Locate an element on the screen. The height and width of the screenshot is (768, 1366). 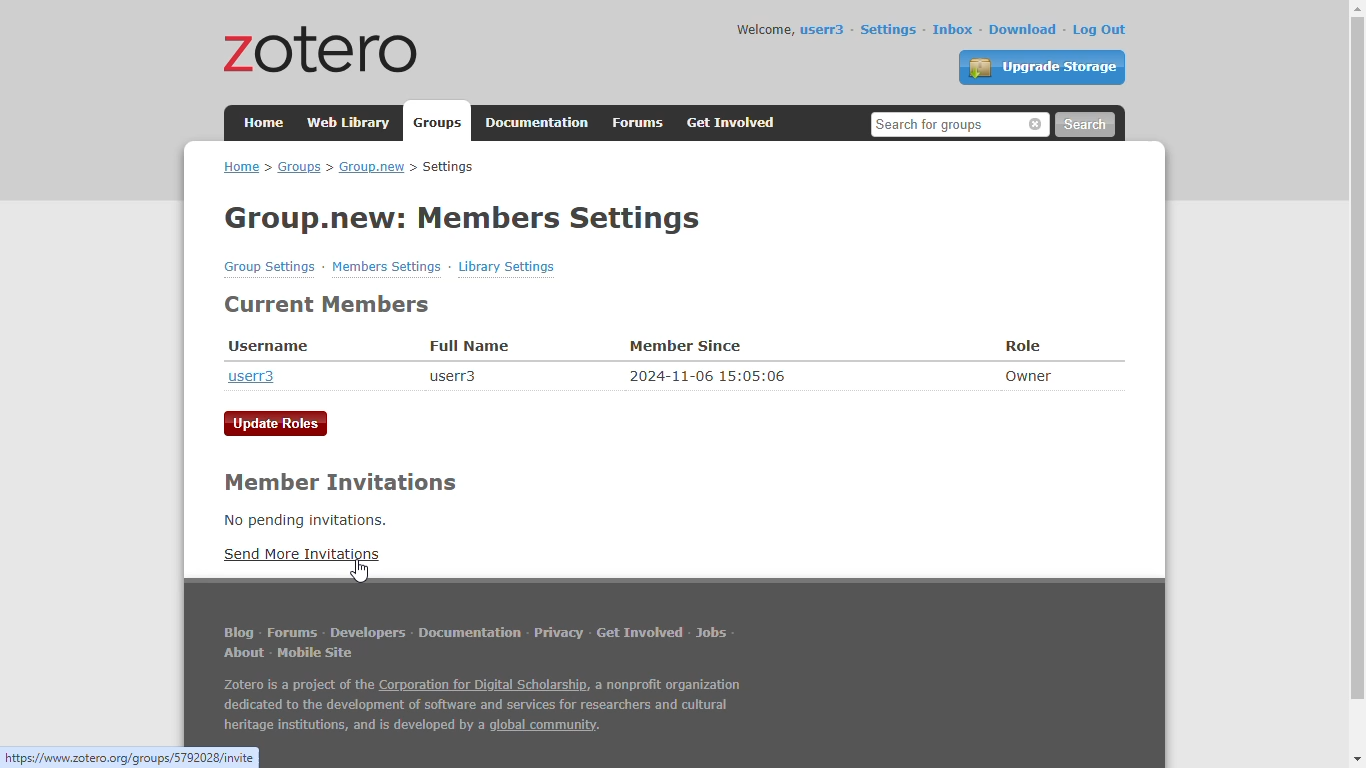
userr3 is located at coordinates (451, 376).